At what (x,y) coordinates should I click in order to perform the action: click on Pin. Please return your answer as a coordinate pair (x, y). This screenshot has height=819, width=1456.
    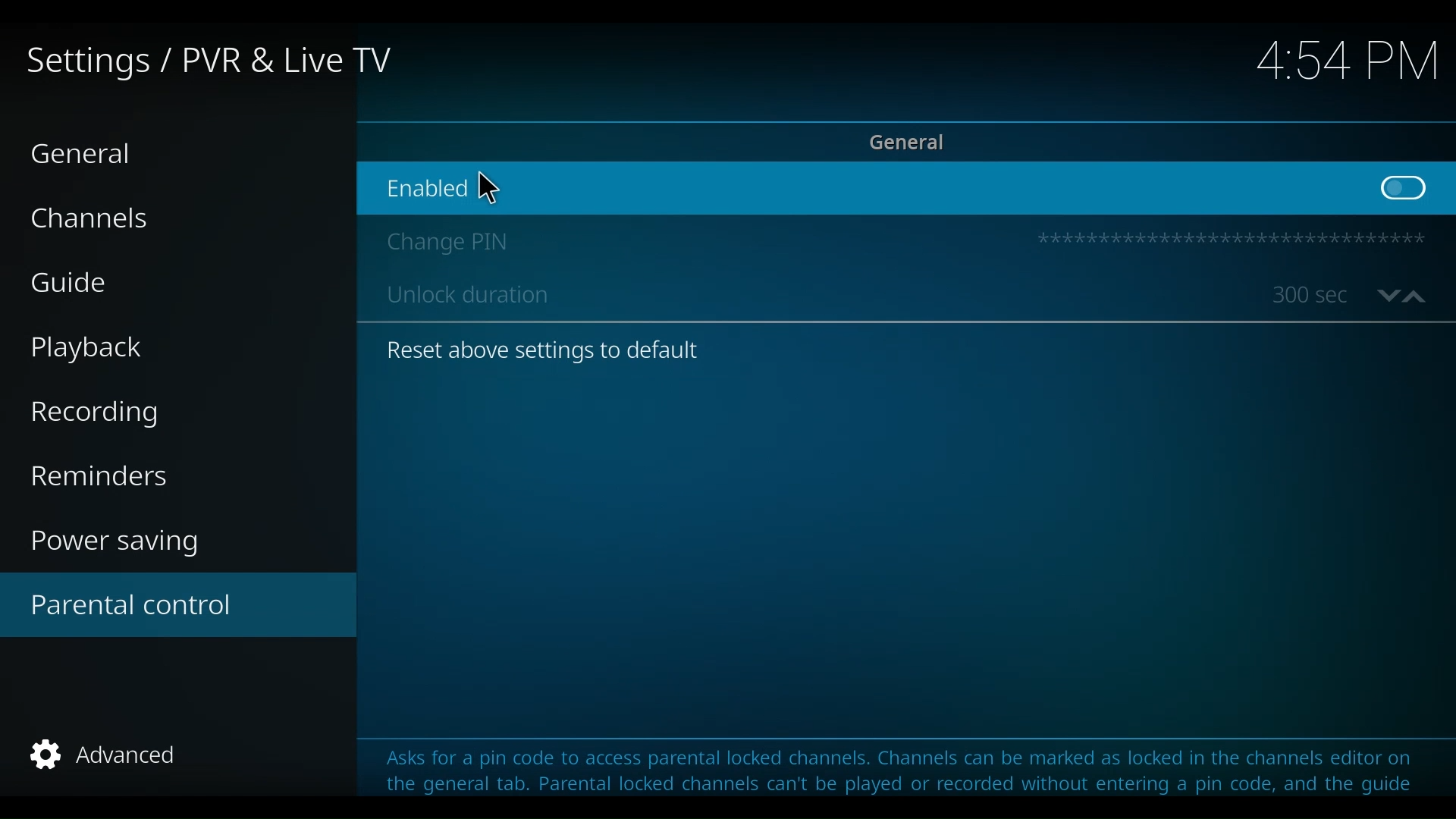
    Looking at the image, I should click on (1231, 242).